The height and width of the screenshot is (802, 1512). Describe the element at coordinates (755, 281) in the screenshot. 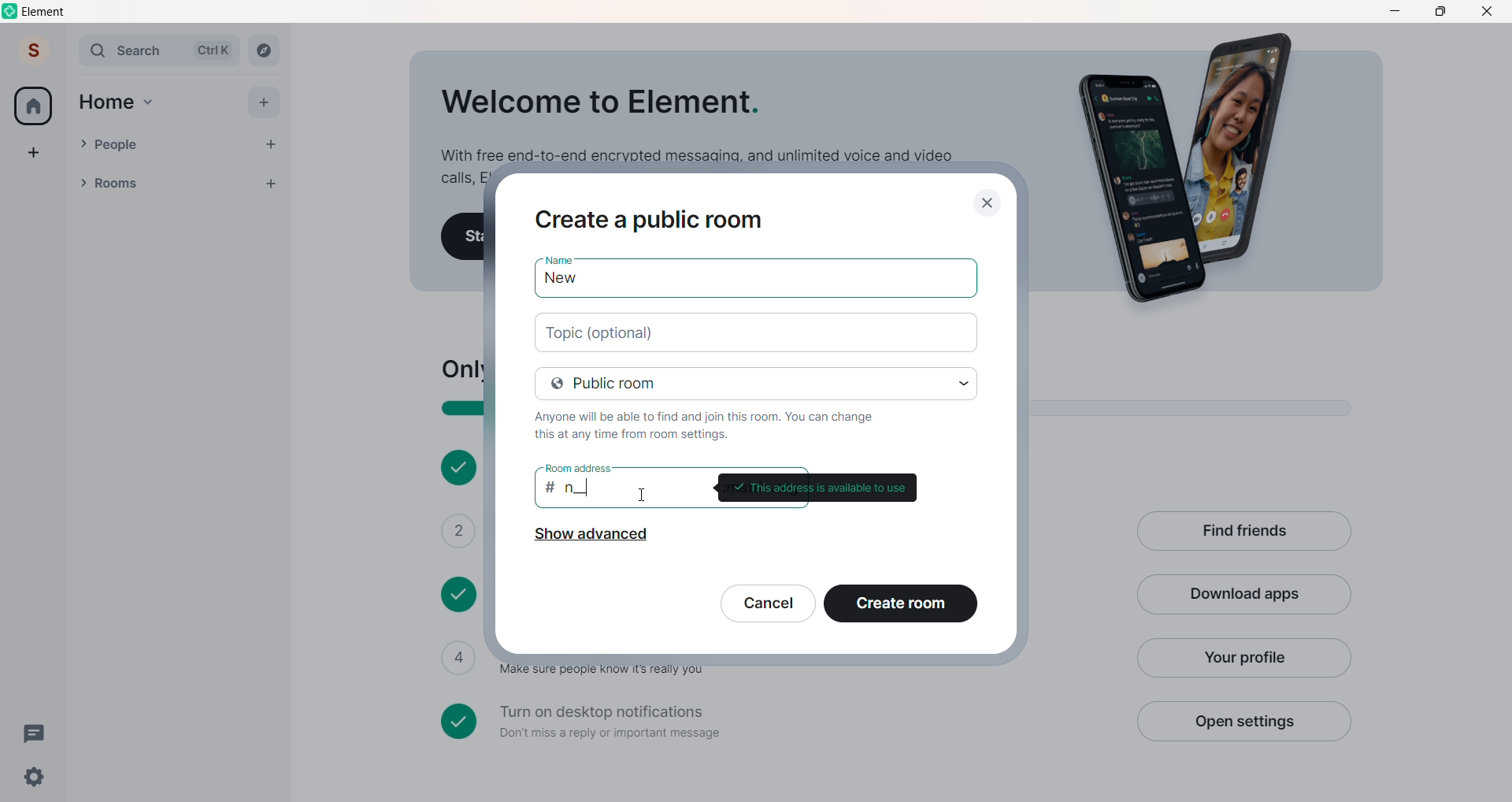

I see `named added: "new"` at that location.